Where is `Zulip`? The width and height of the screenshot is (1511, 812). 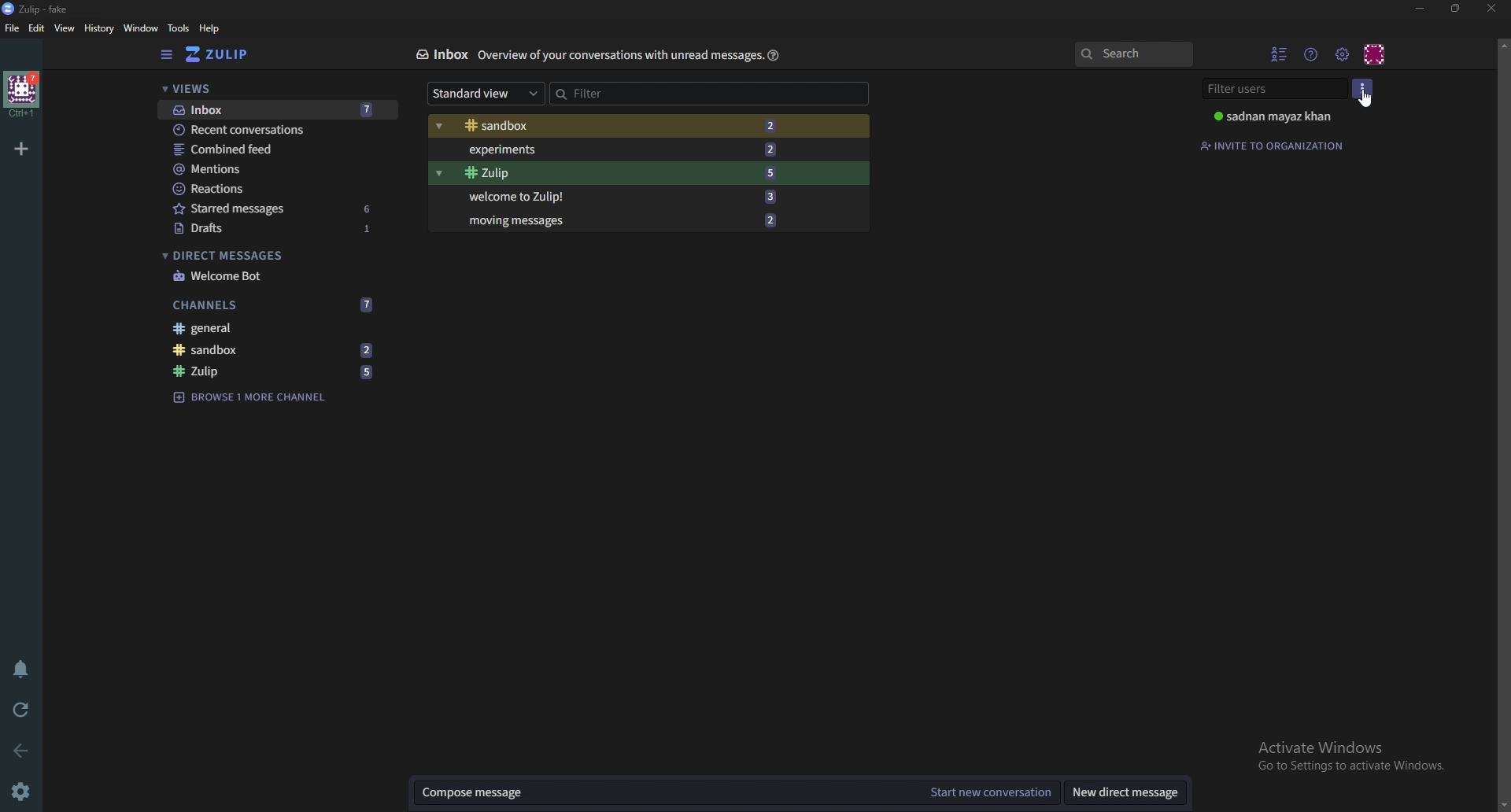 Zulip is located at coordinates (616, 173).